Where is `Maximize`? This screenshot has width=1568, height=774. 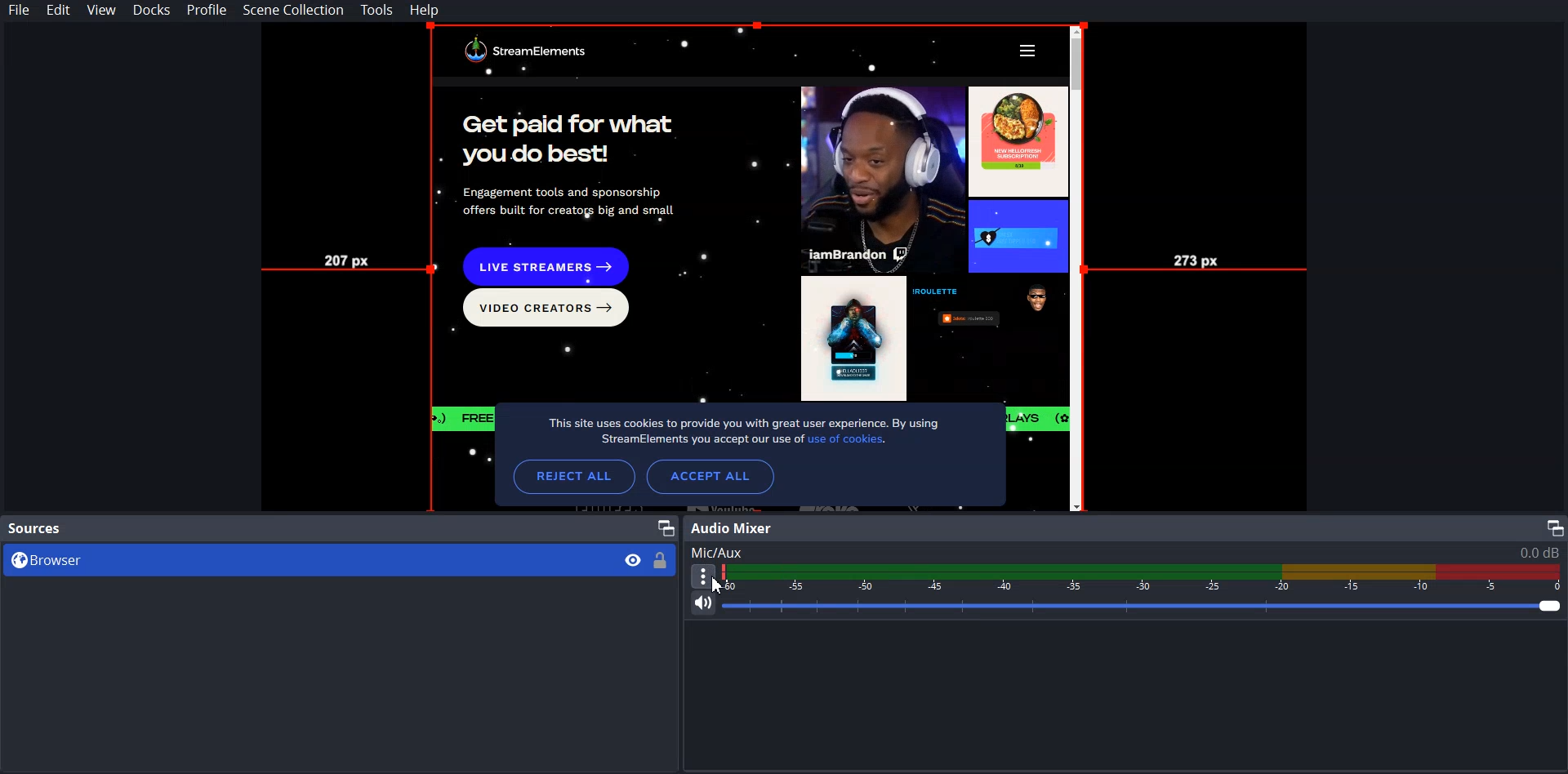 Maximize is located at coordinates (1554, 527).